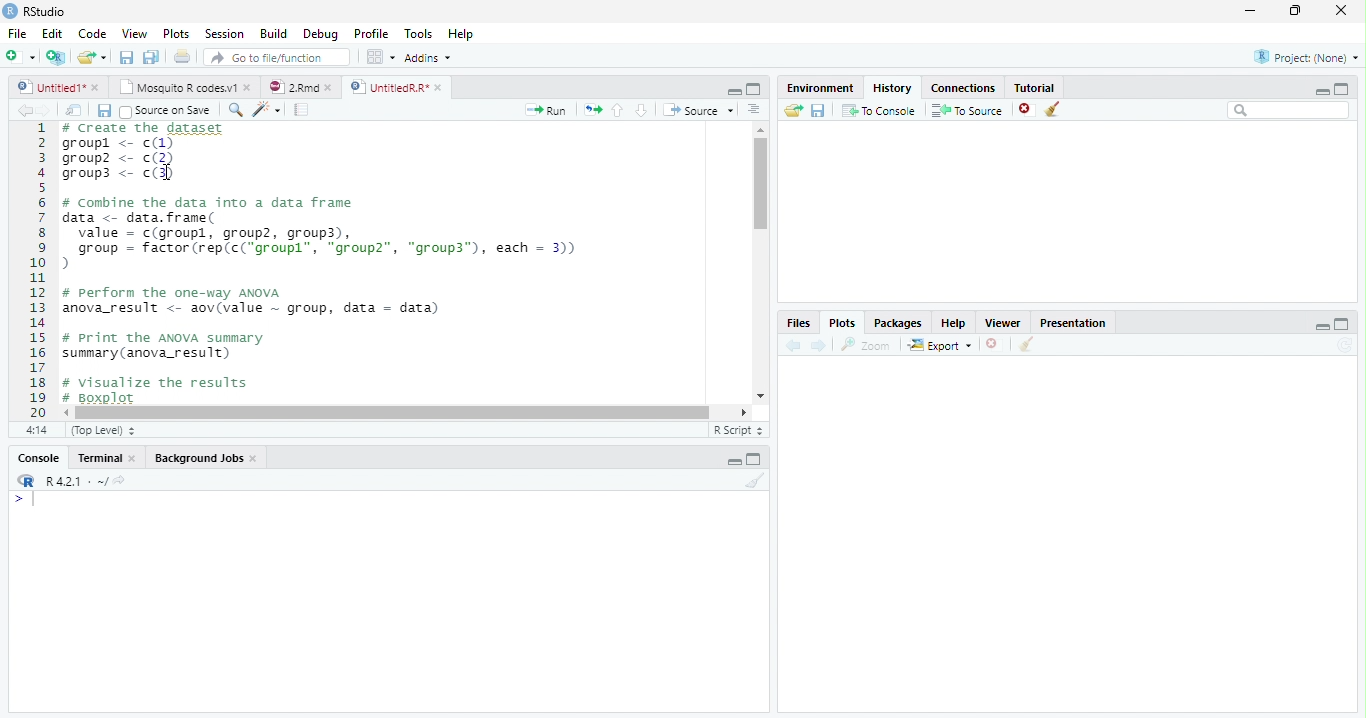 This screenshot has width=1366, height=718. I want to click on Source, so click(700, 111).